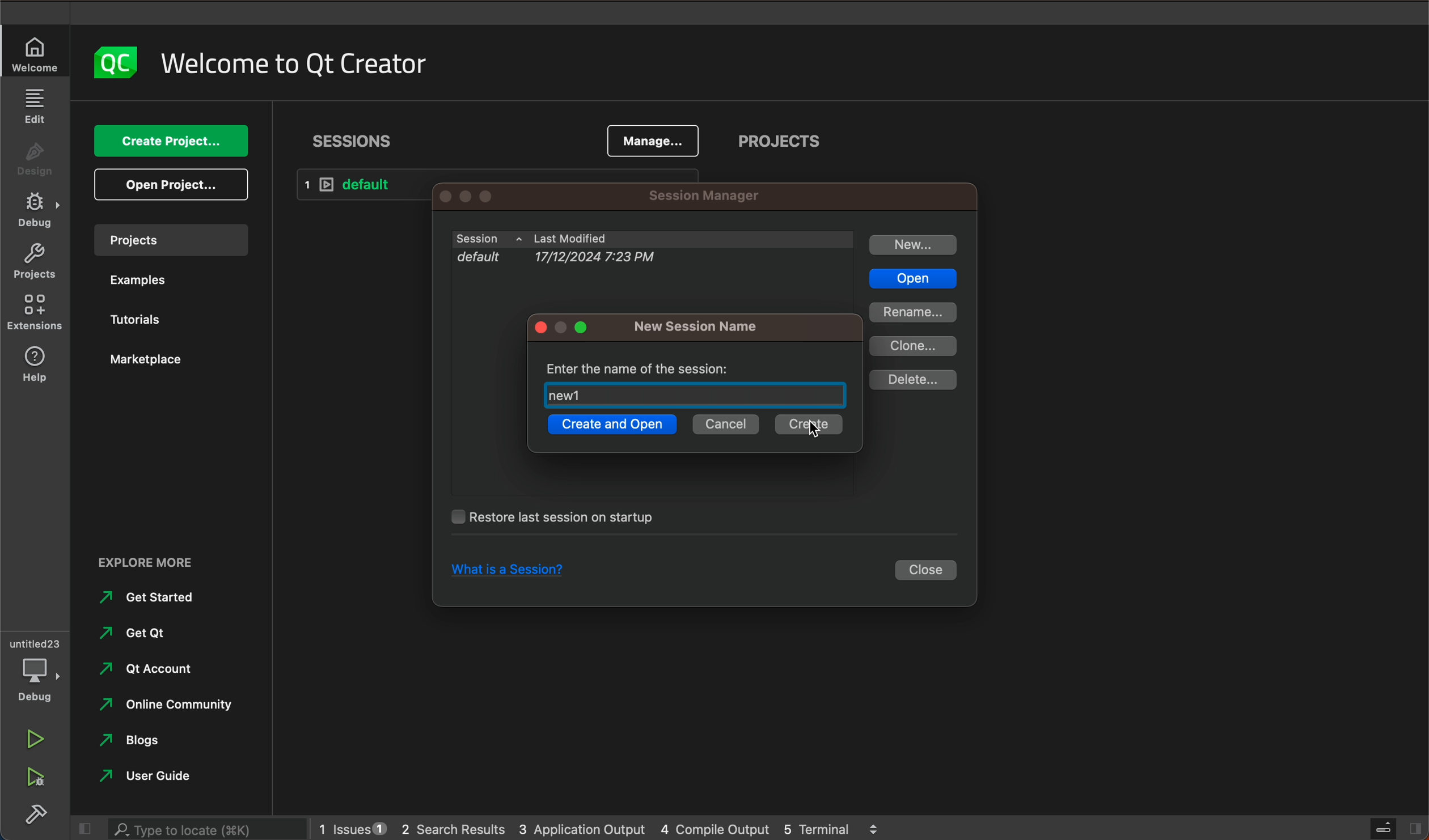  I want to click on qt account, so click(164, 670).